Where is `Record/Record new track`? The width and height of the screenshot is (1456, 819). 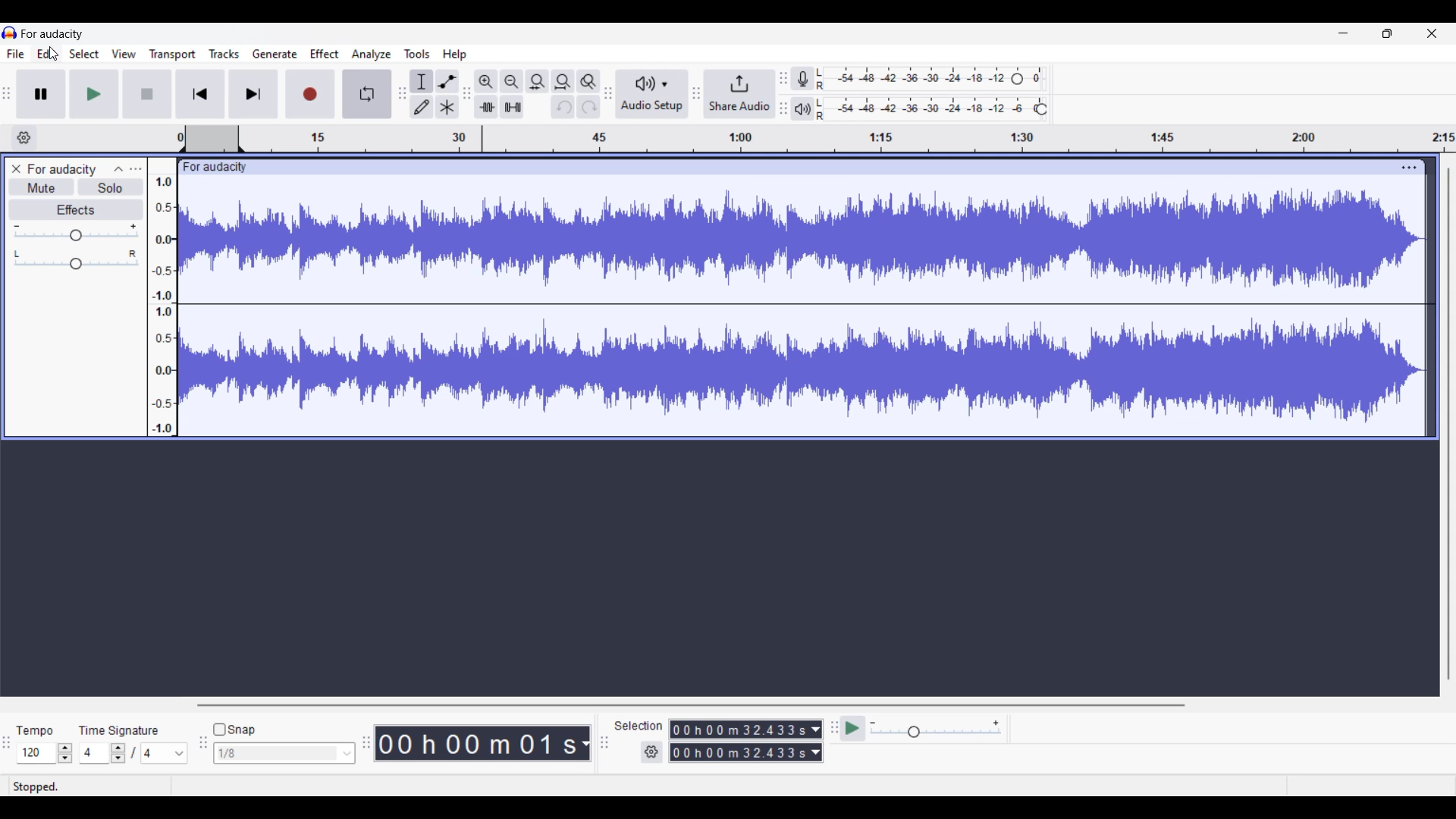
Record/Record new track is located at coordinates (310, 94).